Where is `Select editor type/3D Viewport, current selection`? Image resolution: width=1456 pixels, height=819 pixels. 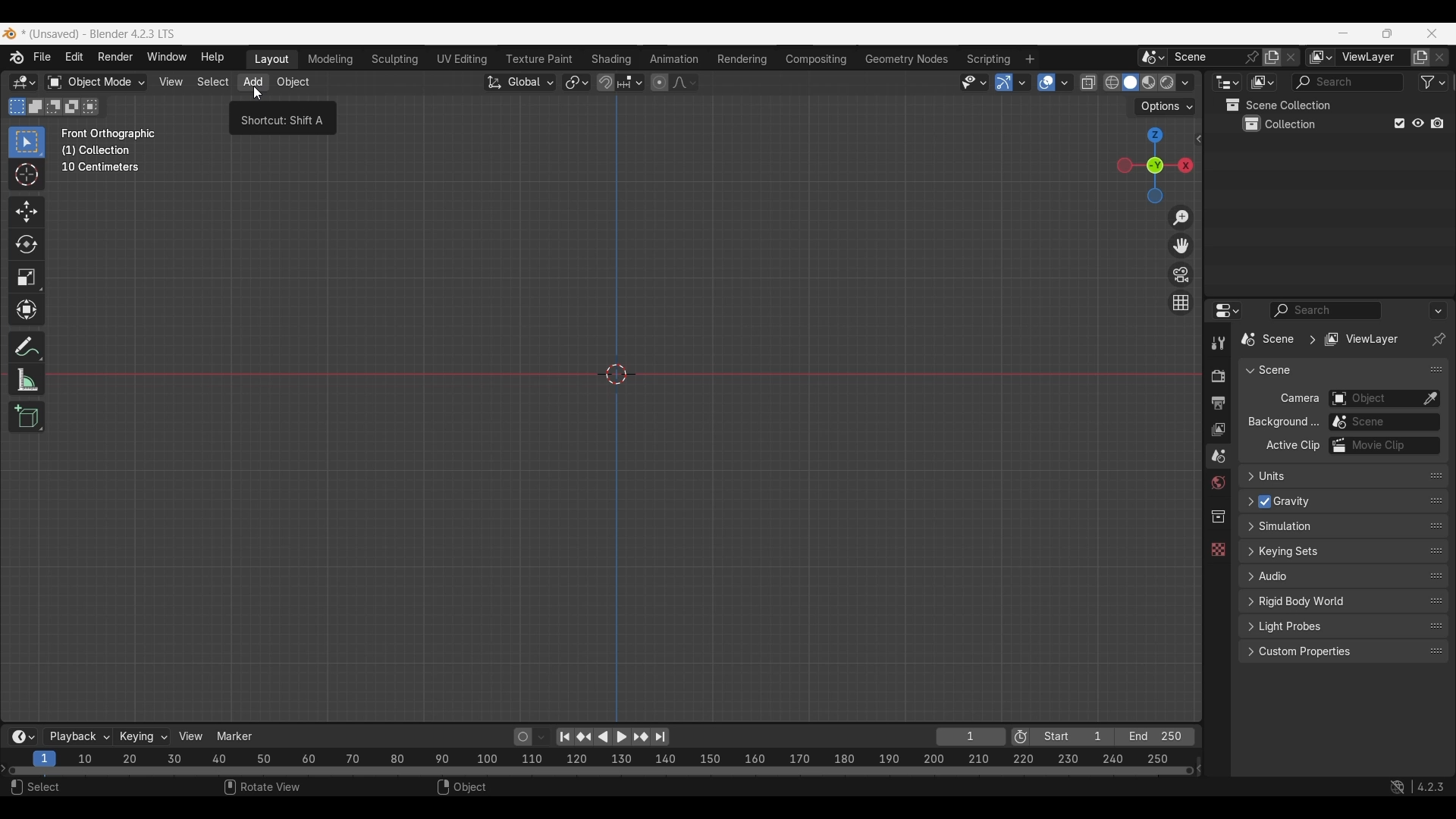 Select editor type/3D Viewport, current selection is located at coordinates (24, 82).